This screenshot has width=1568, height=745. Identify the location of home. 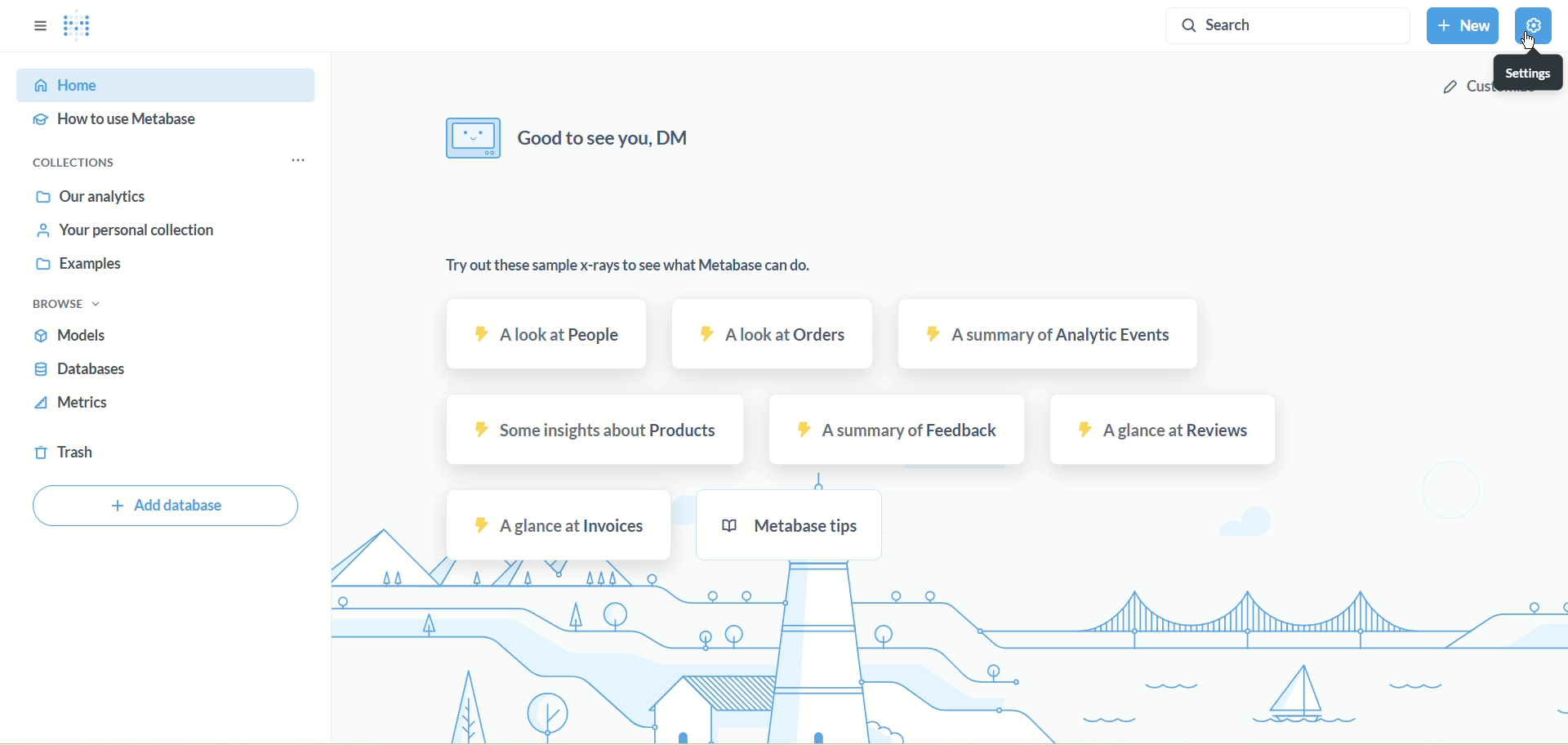
(163, 87).